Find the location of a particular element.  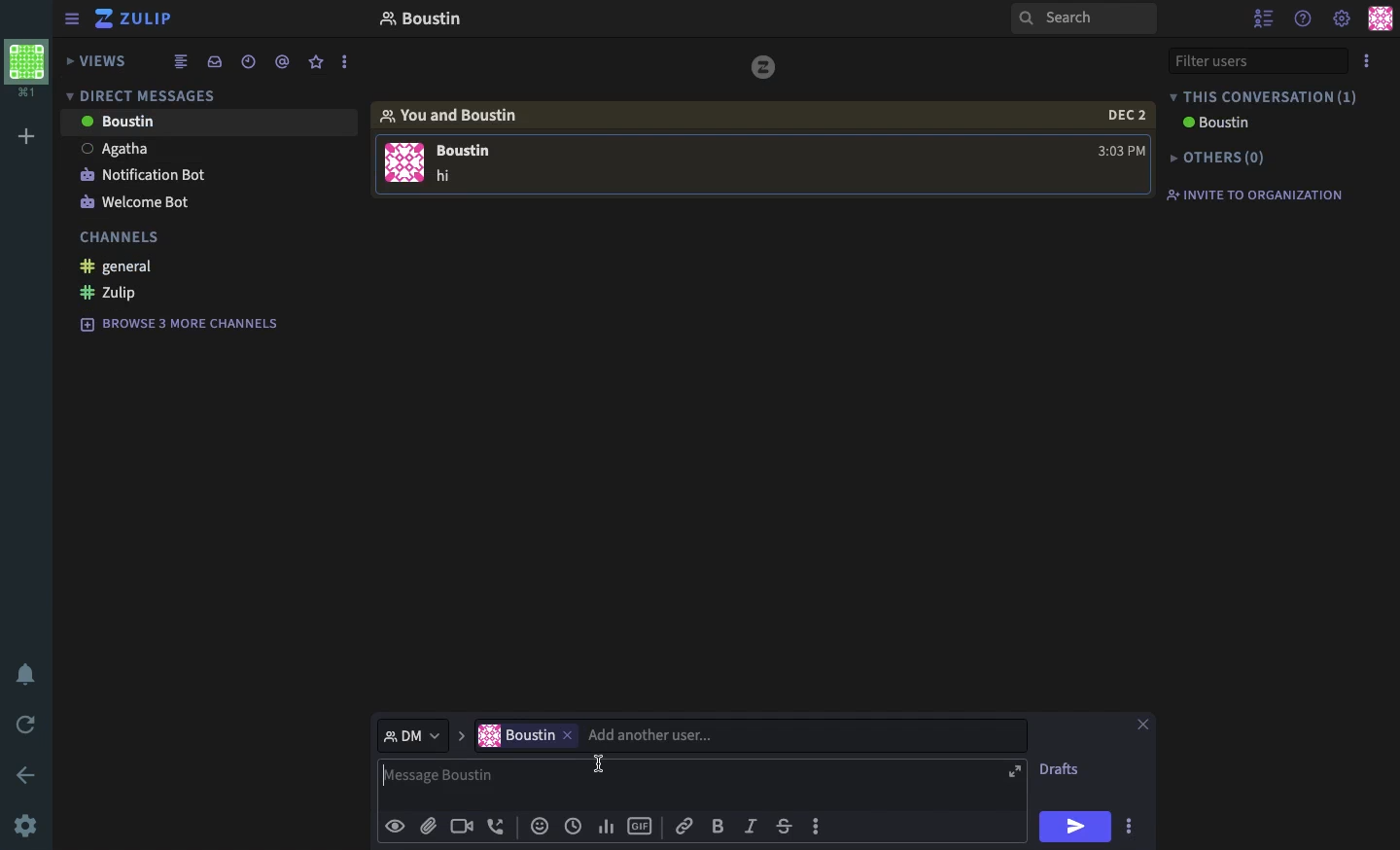

zulip is located at coordinates (767, 71).